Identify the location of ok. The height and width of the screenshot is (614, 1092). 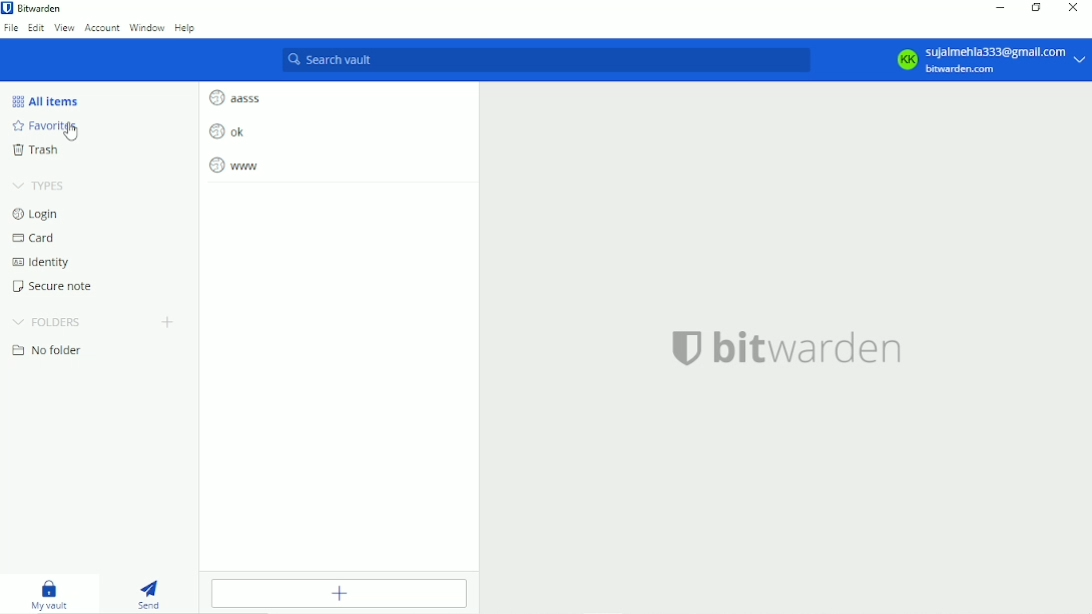
(227, 131).